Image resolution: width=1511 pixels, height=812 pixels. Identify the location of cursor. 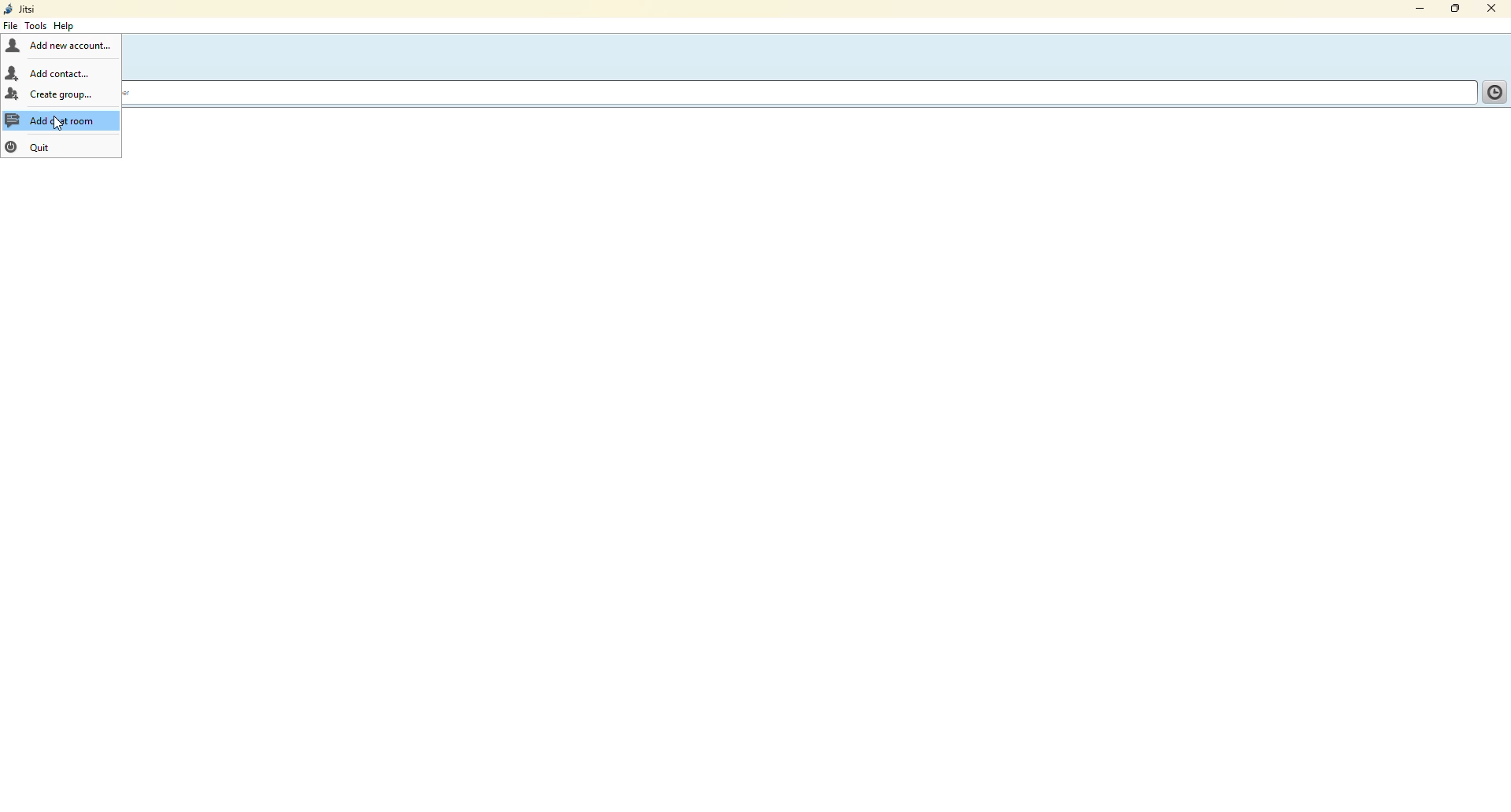
(57, 125).